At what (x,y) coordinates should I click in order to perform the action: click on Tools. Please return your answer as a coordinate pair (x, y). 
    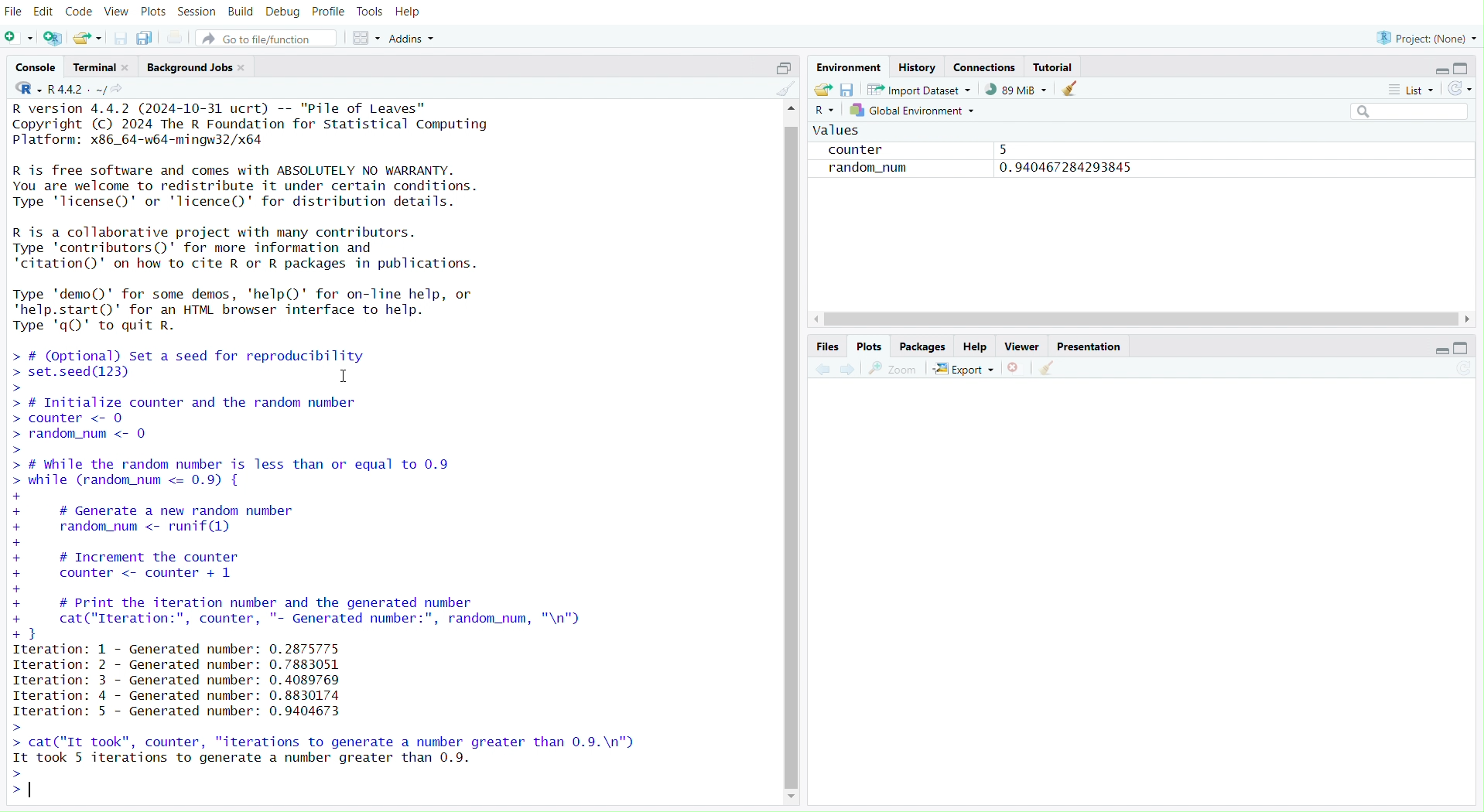
    Looking at the image, I should click on (369, 12).